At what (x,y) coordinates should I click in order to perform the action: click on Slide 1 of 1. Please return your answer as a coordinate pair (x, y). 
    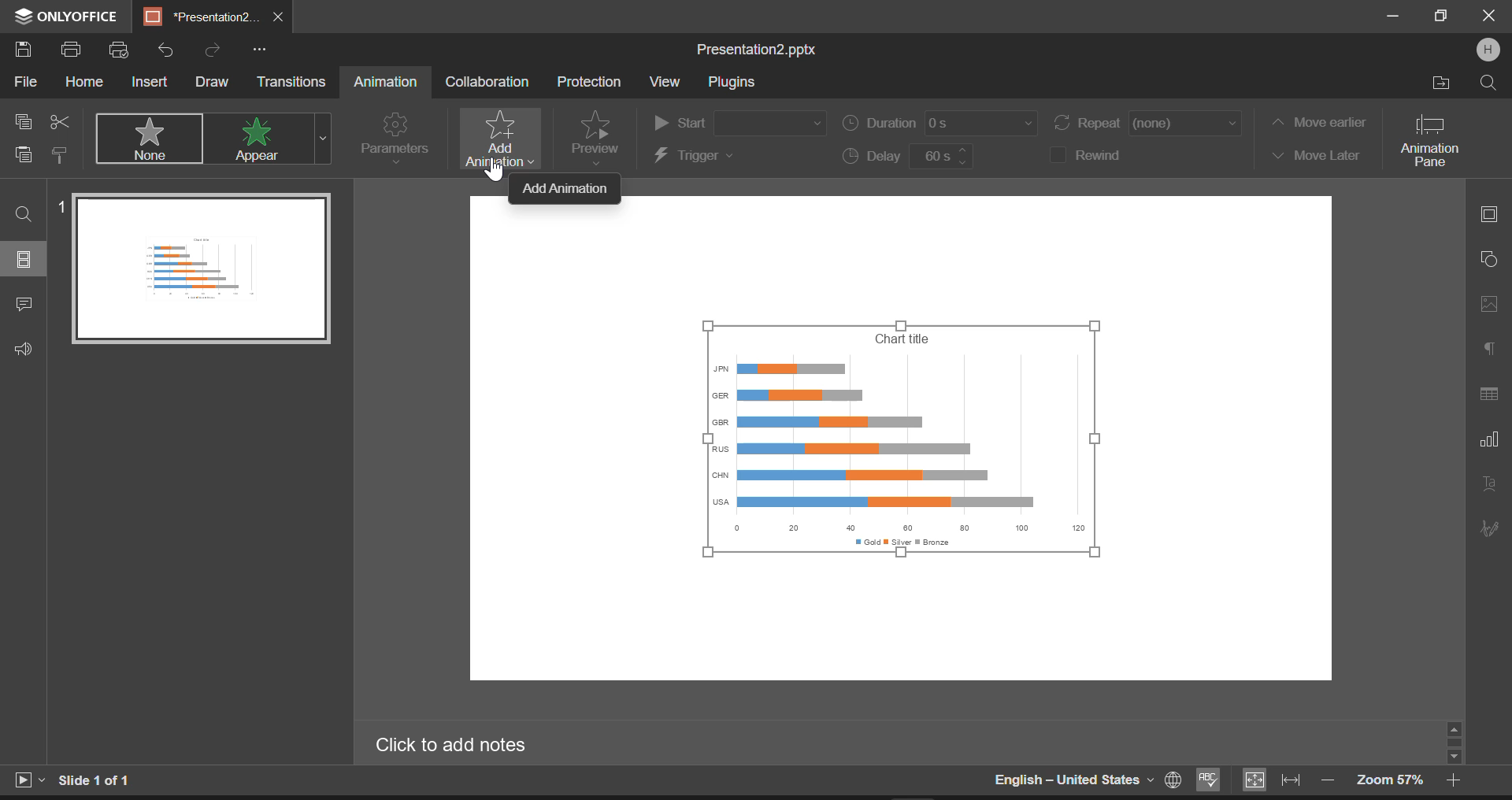
    Looking at the image, I should click on (98, 780).